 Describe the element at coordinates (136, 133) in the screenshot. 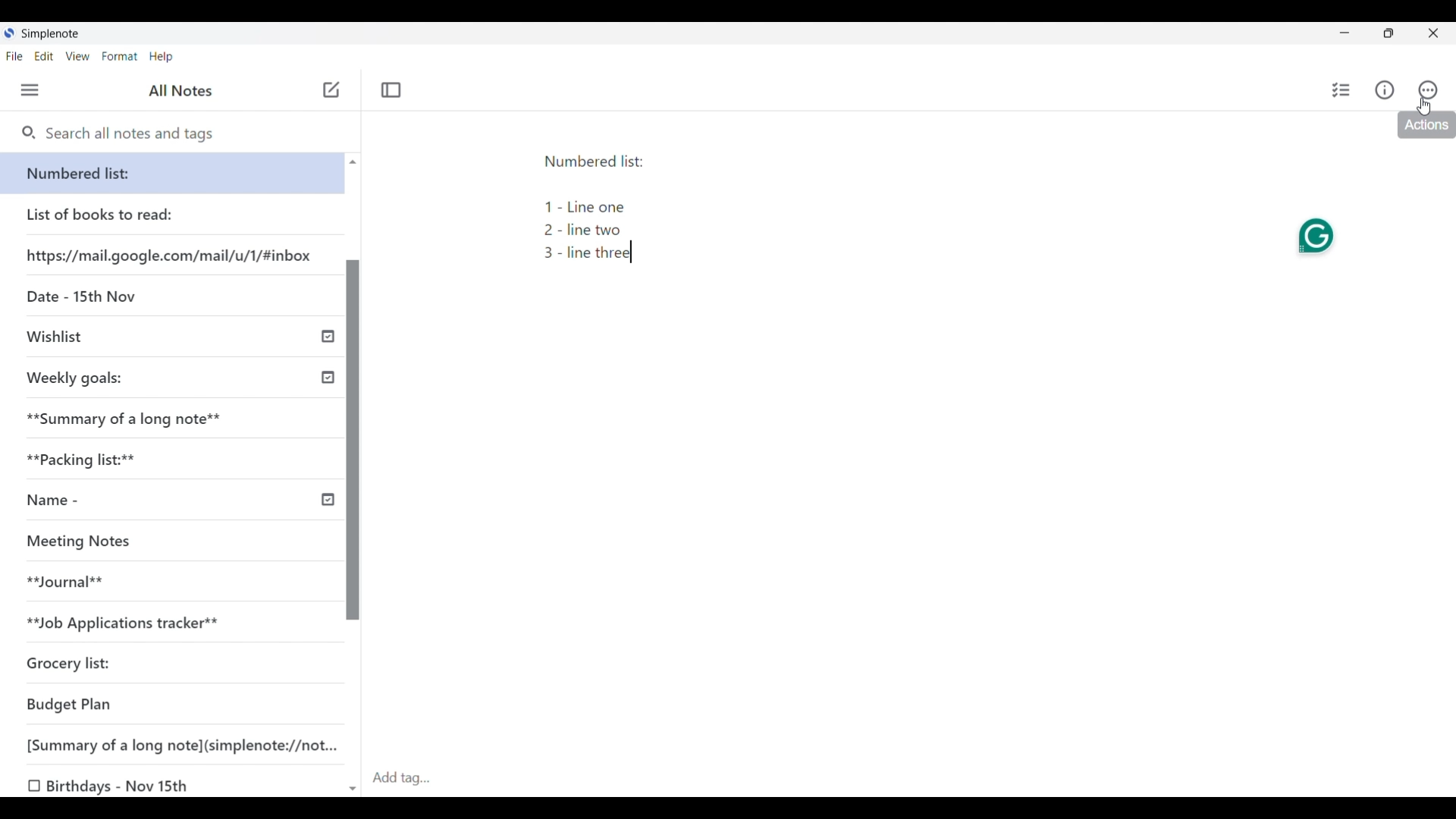

I see `Search notes and tags` at that location.